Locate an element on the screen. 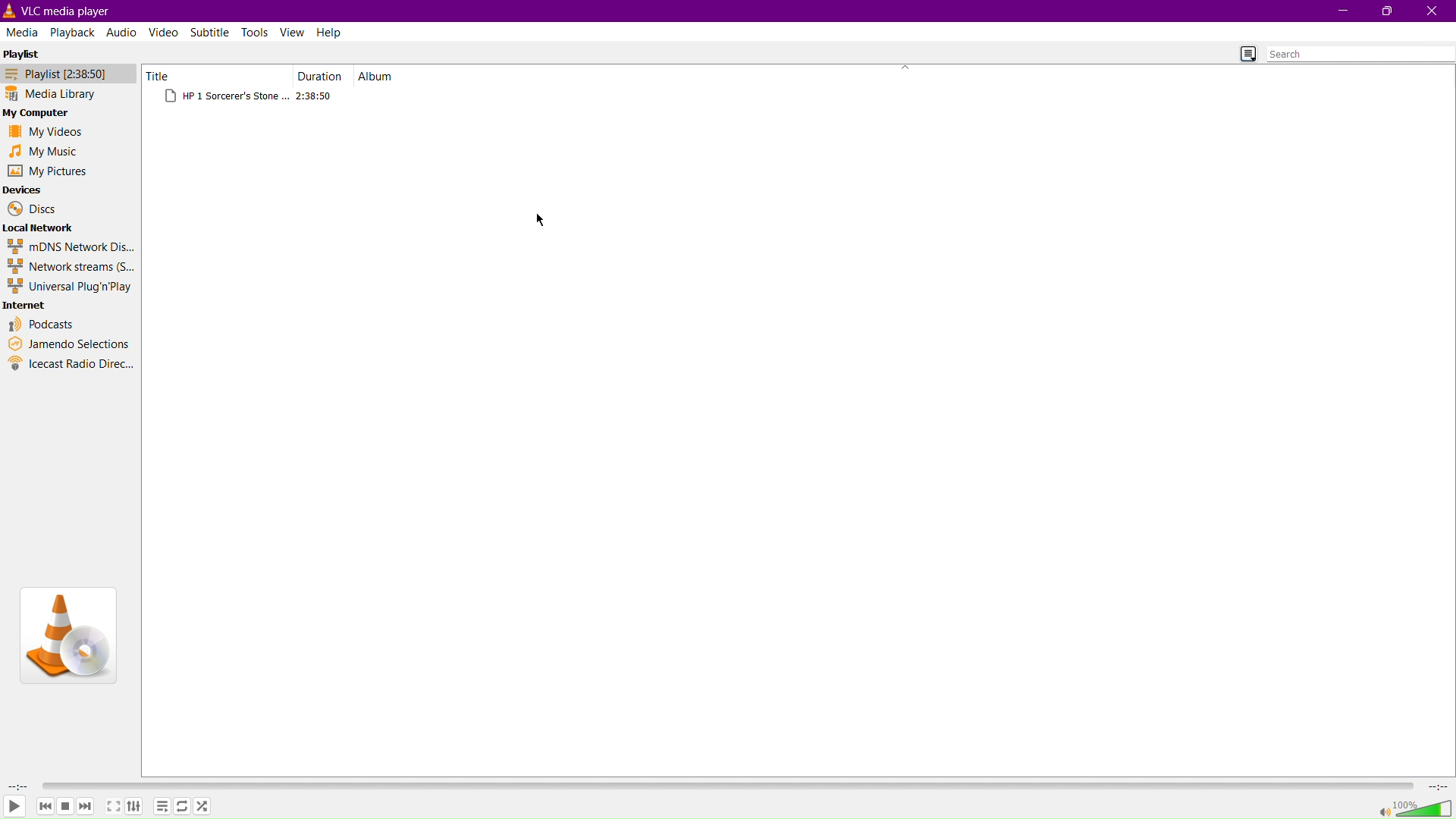 Image resolution: width=1456 pixels, height=819 pixels. VLC Logo is located at coordinates (67, 634).